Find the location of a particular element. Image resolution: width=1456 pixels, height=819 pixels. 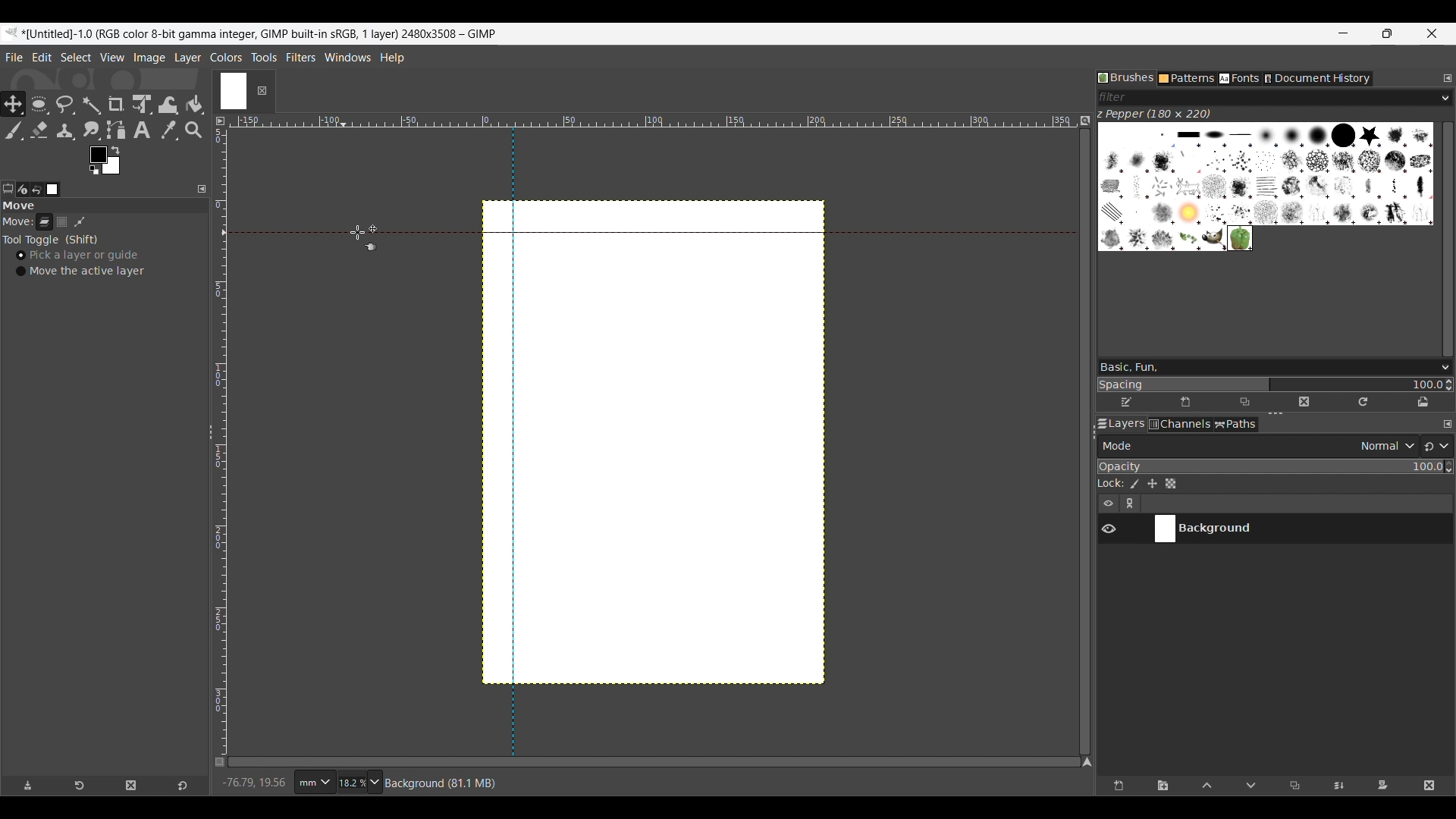

Layer settings is located at coordinates (1120, 504).